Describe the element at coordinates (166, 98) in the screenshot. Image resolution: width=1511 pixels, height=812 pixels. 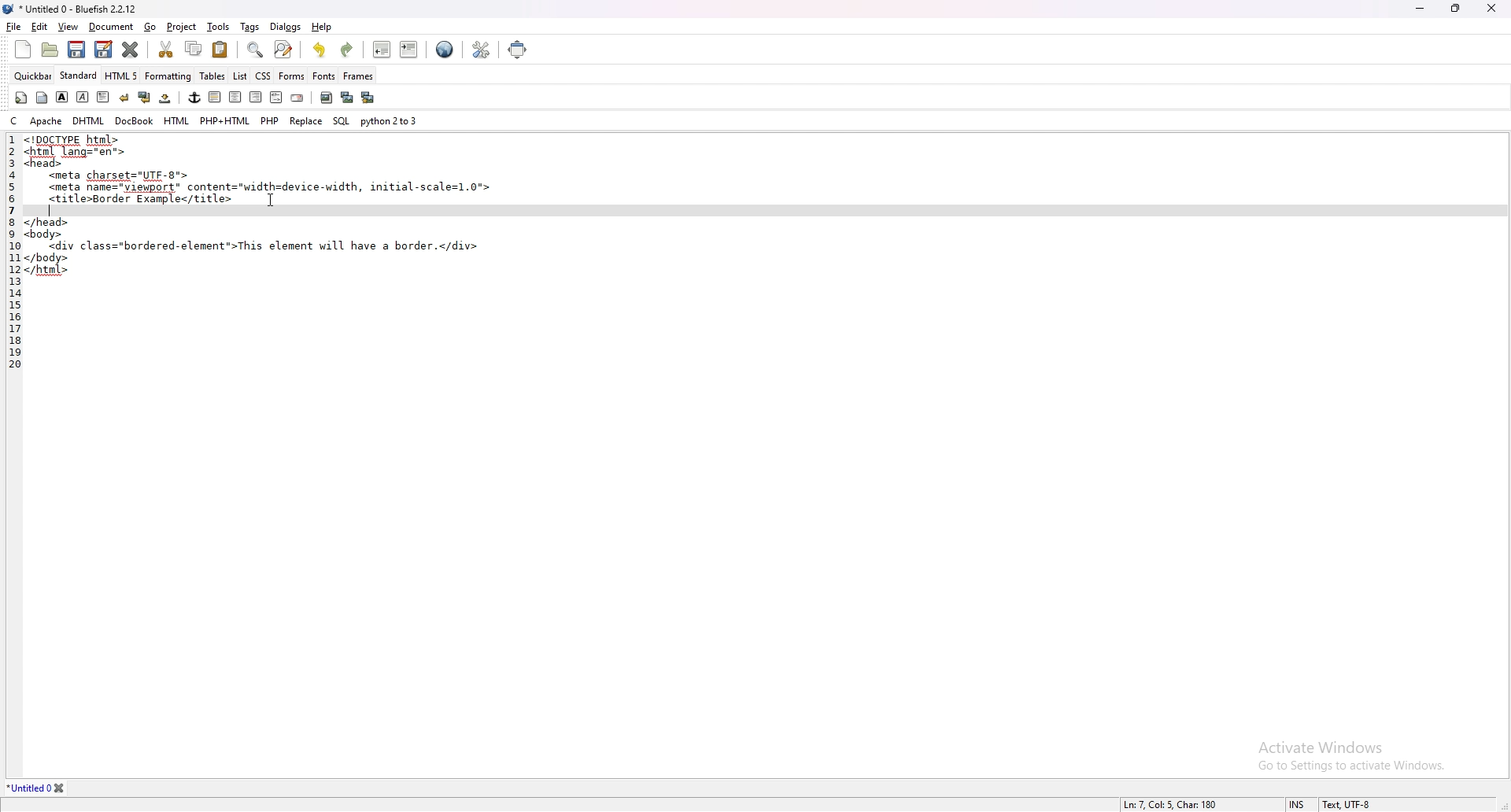
I see `non breaking space` at that location.